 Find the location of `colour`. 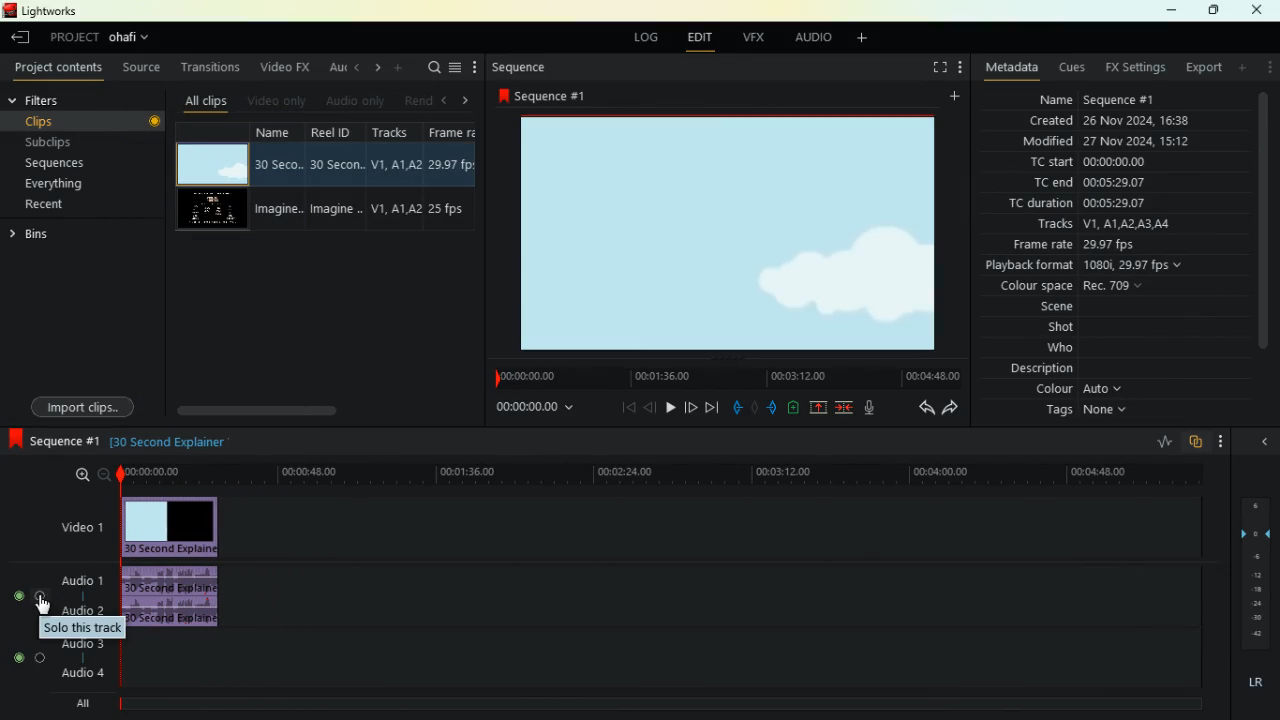

colour is located at coordinates (1075, 389).